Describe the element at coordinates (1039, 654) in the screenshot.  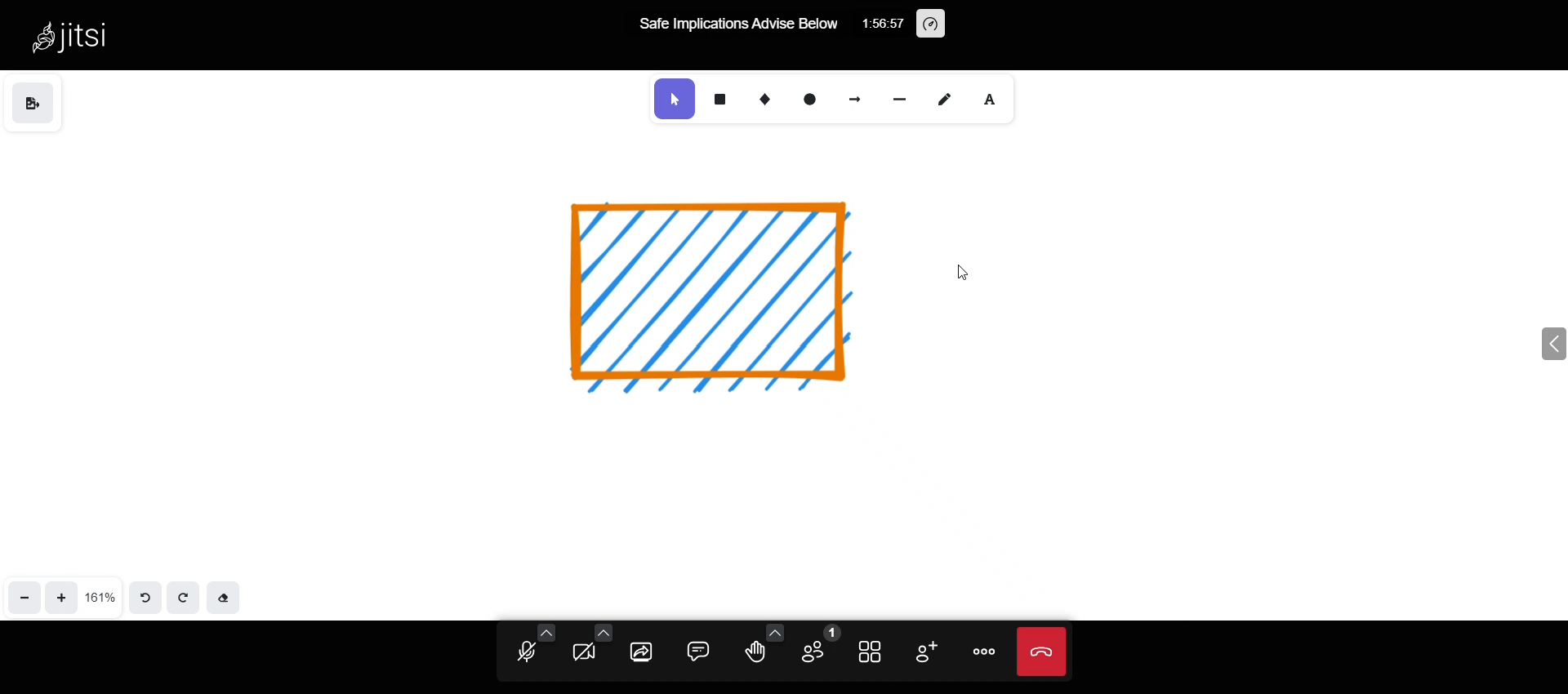
I see `end call` at that location.